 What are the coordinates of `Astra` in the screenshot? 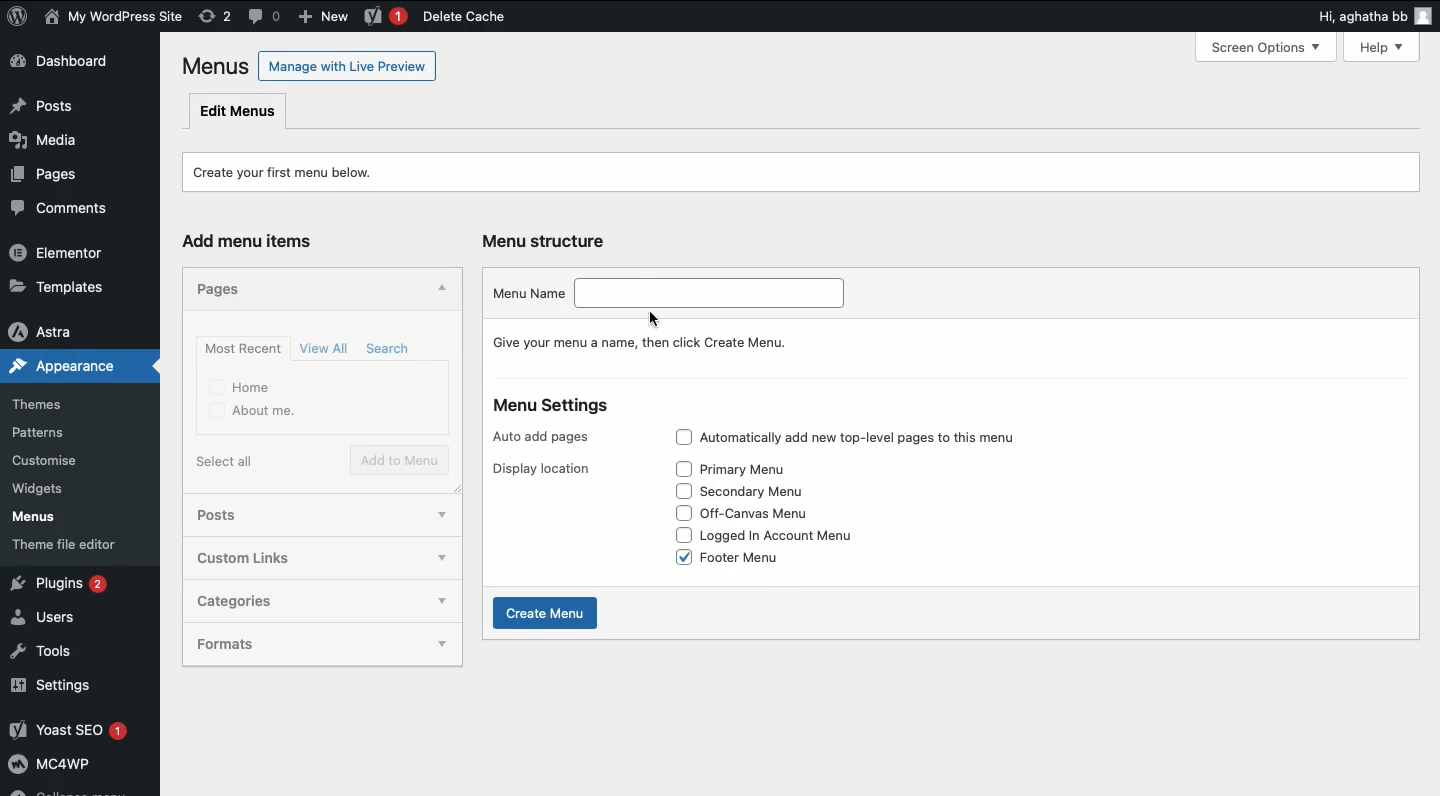 It's located at (71, 331).